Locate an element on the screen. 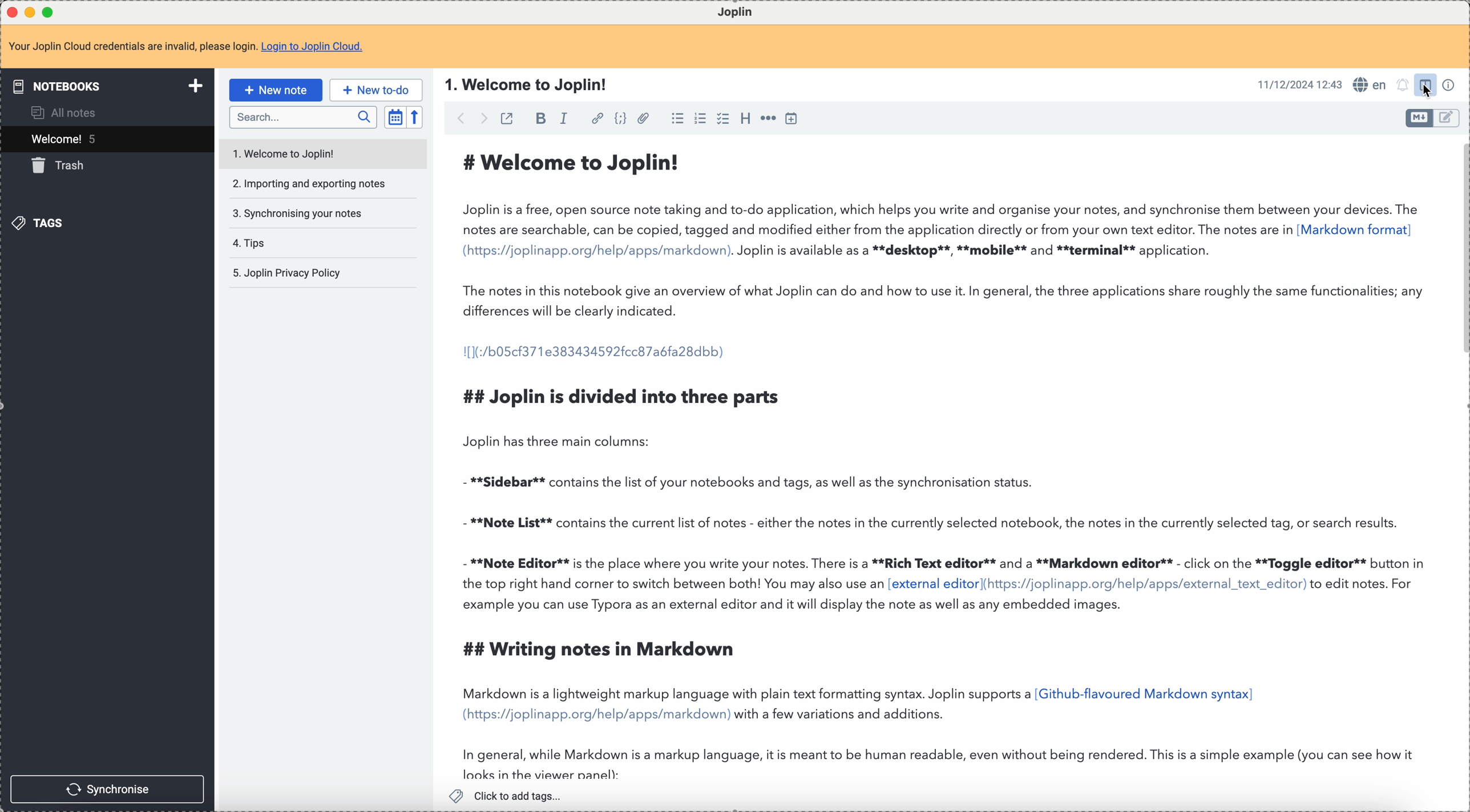 The height and width of the screenshot is (812, 1470). Joplin has three main columns: is located at coordinates (562, 440).